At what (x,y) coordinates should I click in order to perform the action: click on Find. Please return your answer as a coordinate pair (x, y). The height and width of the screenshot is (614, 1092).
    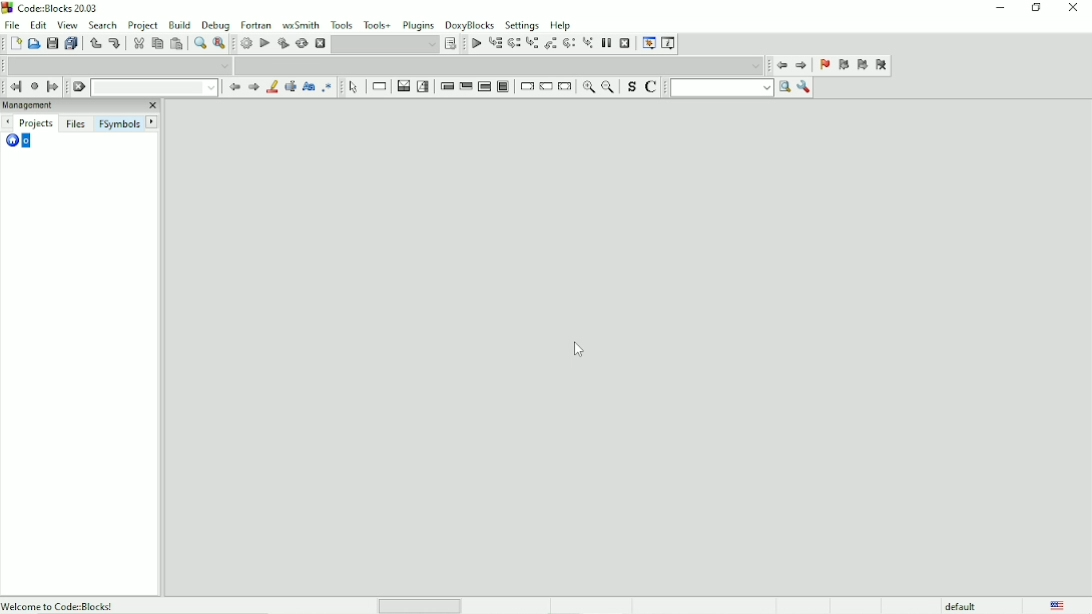
    Looking at the image, I should click on (198, 44).